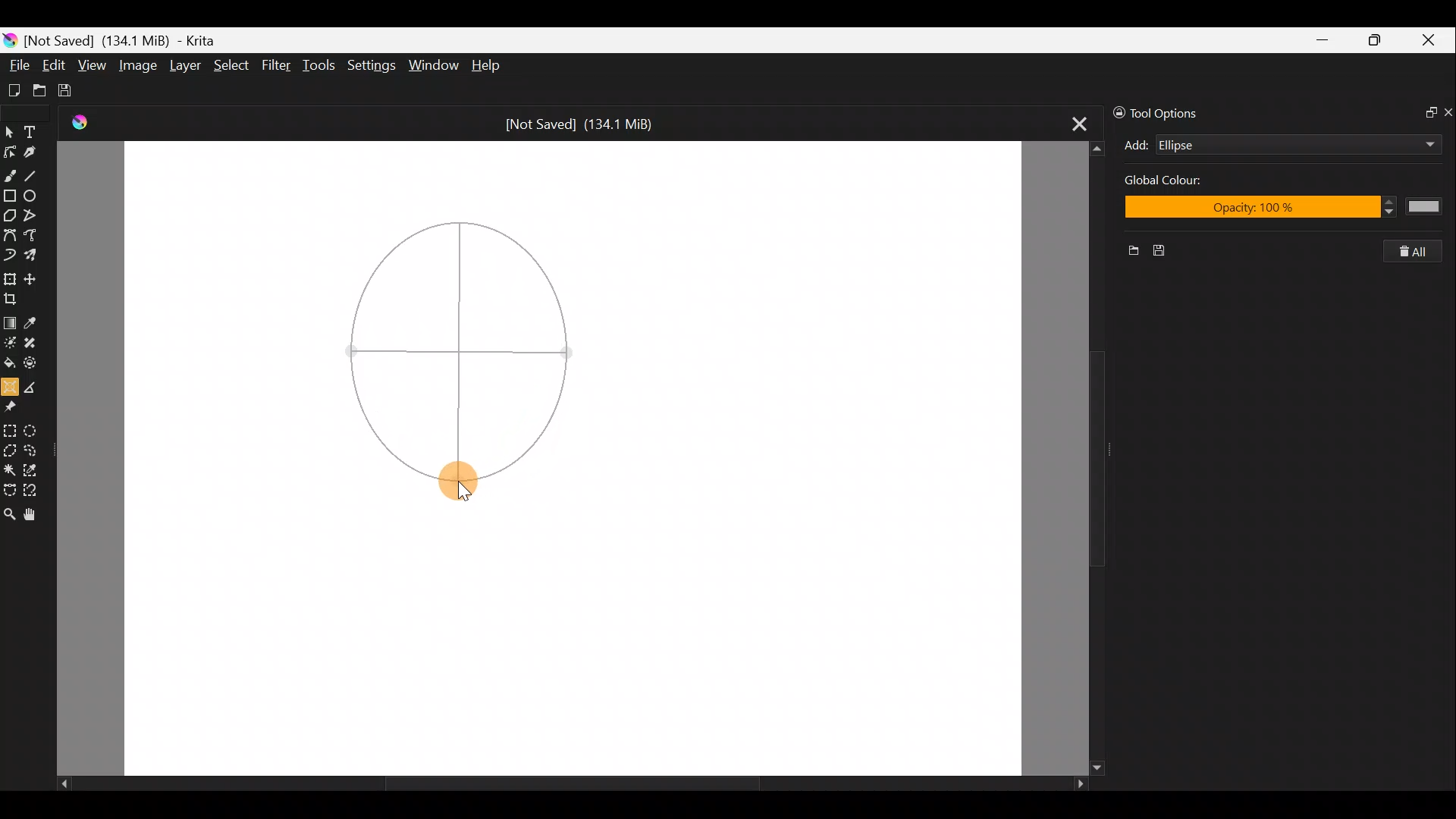  What do you see at coordinates (459, 482) in the screenshot?
I see `Cursor on ellipse` at bounding box center [459, 482].